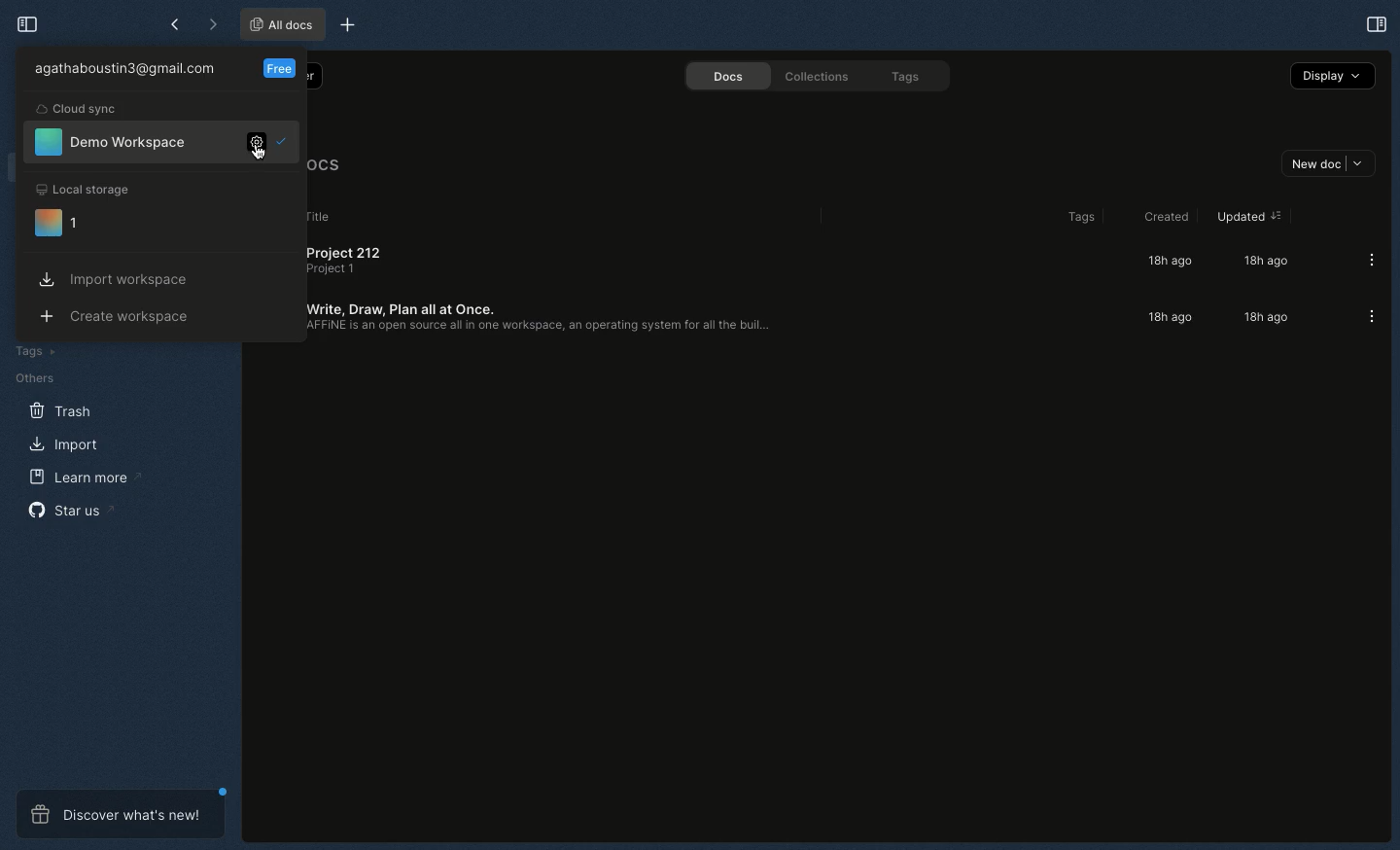 The width and height of the screenshot is (1400, 850). Describe the element at coordinates (60, 411) in the screenshot. I see `Trash` at that location.